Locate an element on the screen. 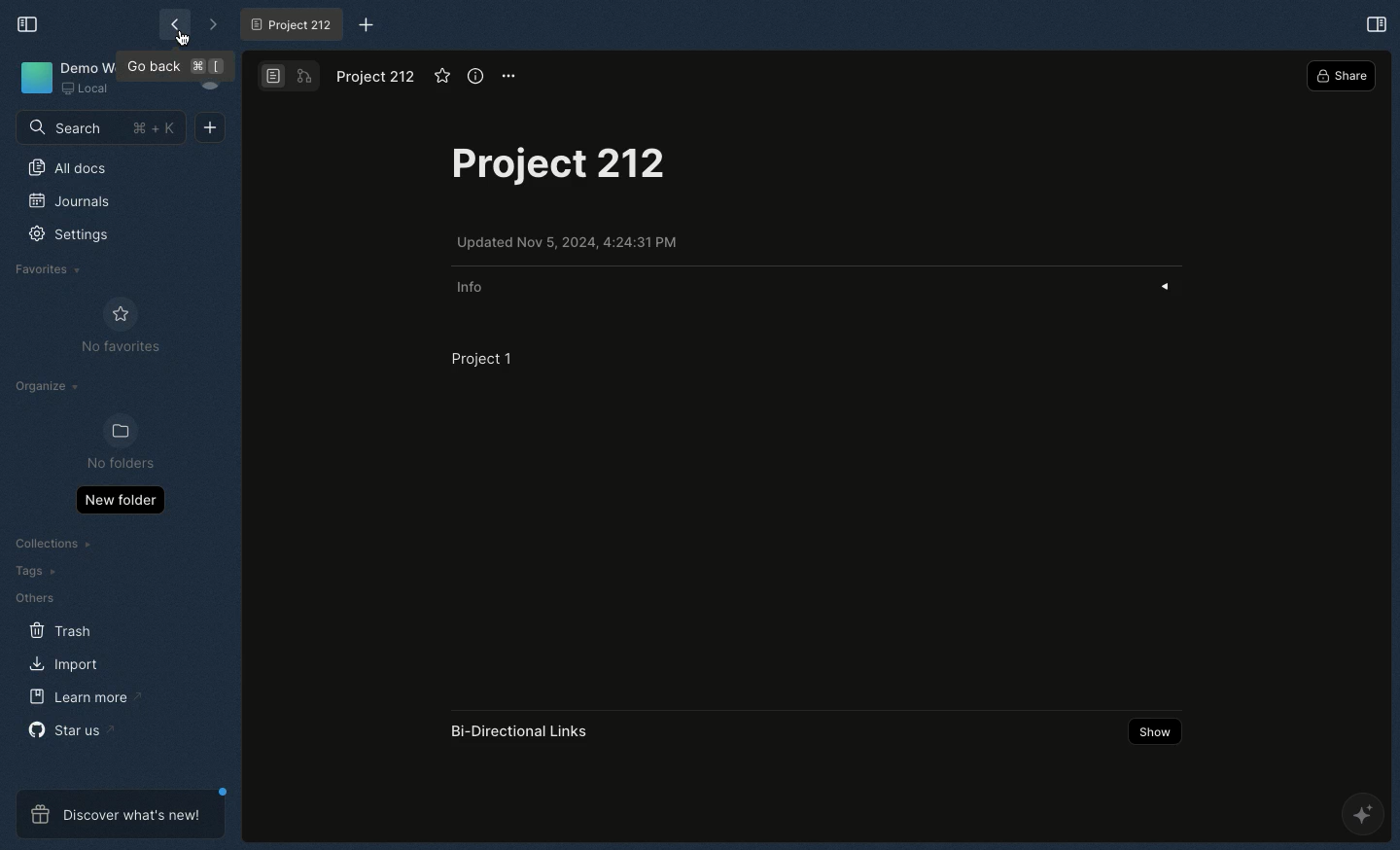 This screenshot has height=850, width=1400. Options is located at coordinates (510, 75).